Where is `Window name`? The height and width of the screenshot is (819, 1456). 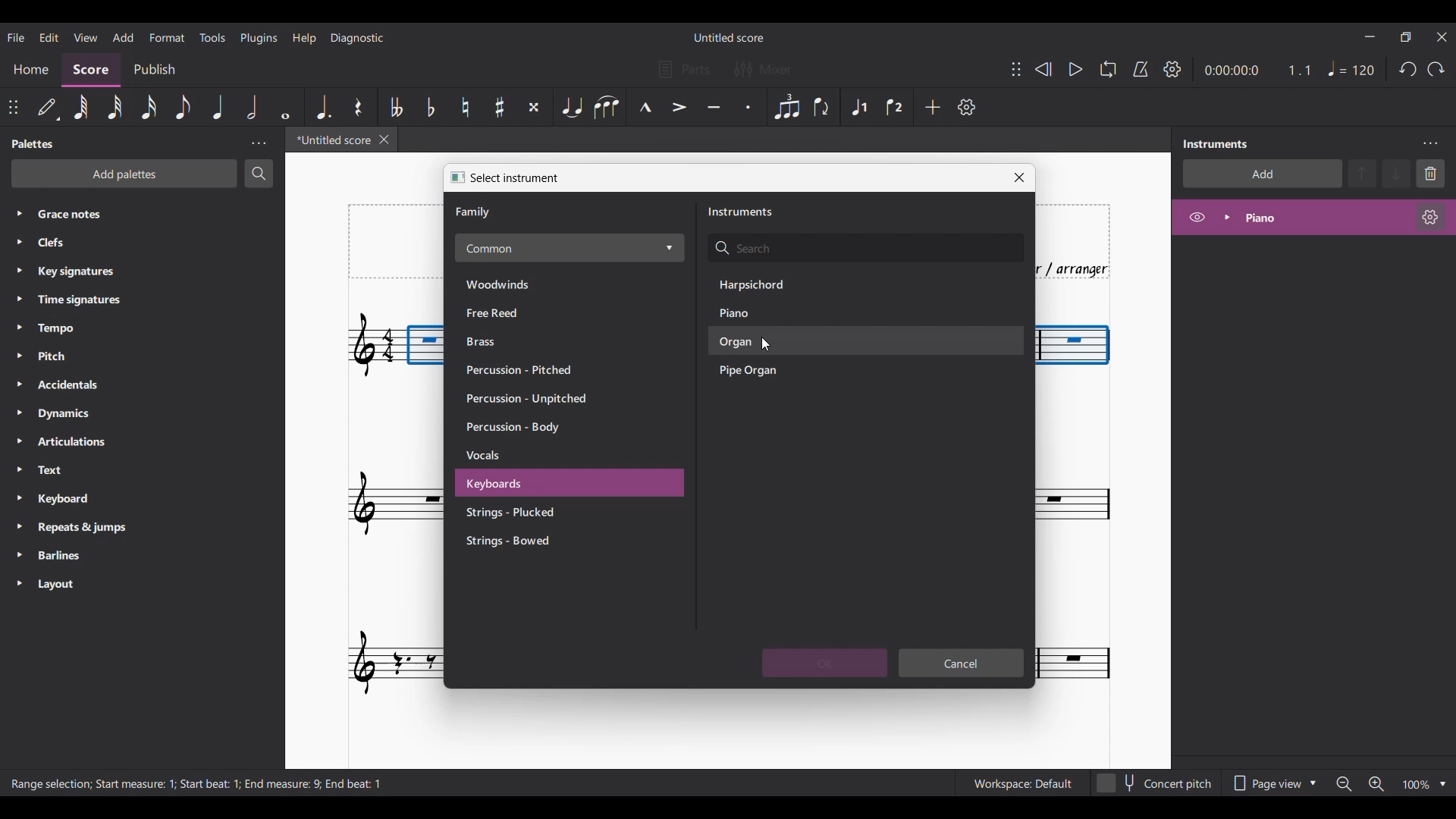
Window name is located at coordinates (516, 178).